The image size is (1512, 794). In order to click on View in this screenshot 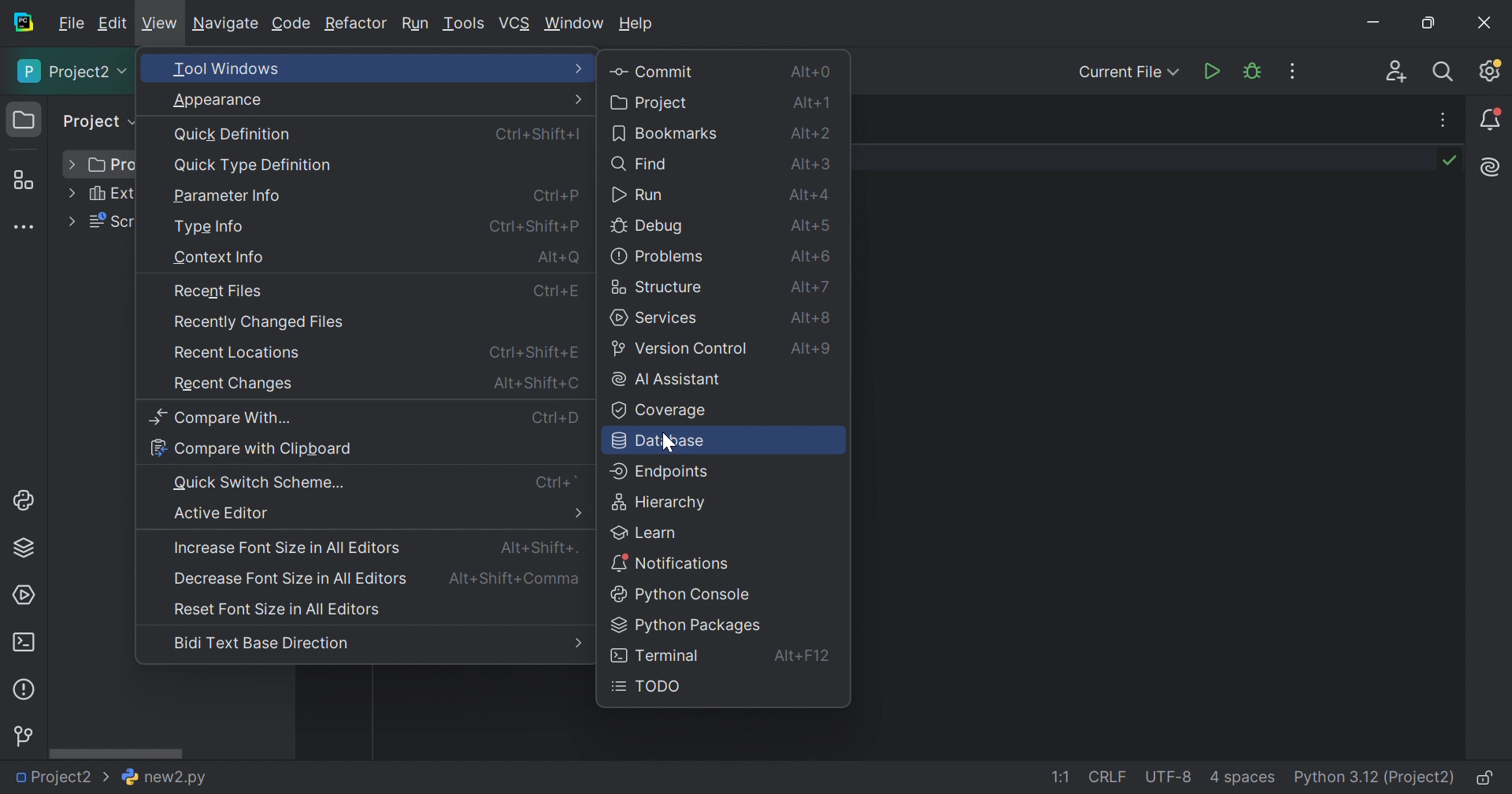, I will do `click(161, 24)`.